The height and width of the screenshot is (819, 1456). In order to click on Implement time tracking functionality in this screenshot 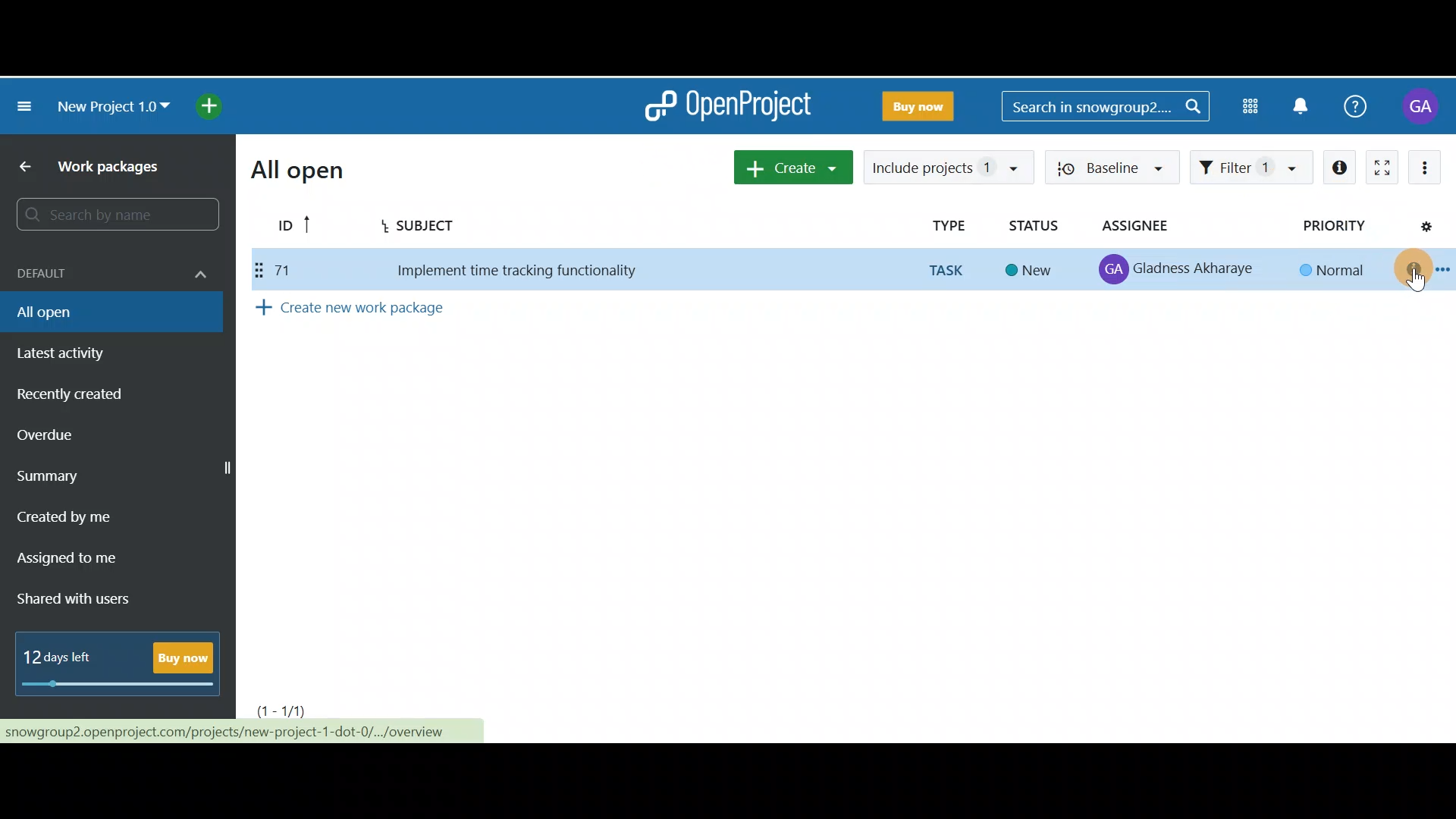, I will do `click(519, 270)`.